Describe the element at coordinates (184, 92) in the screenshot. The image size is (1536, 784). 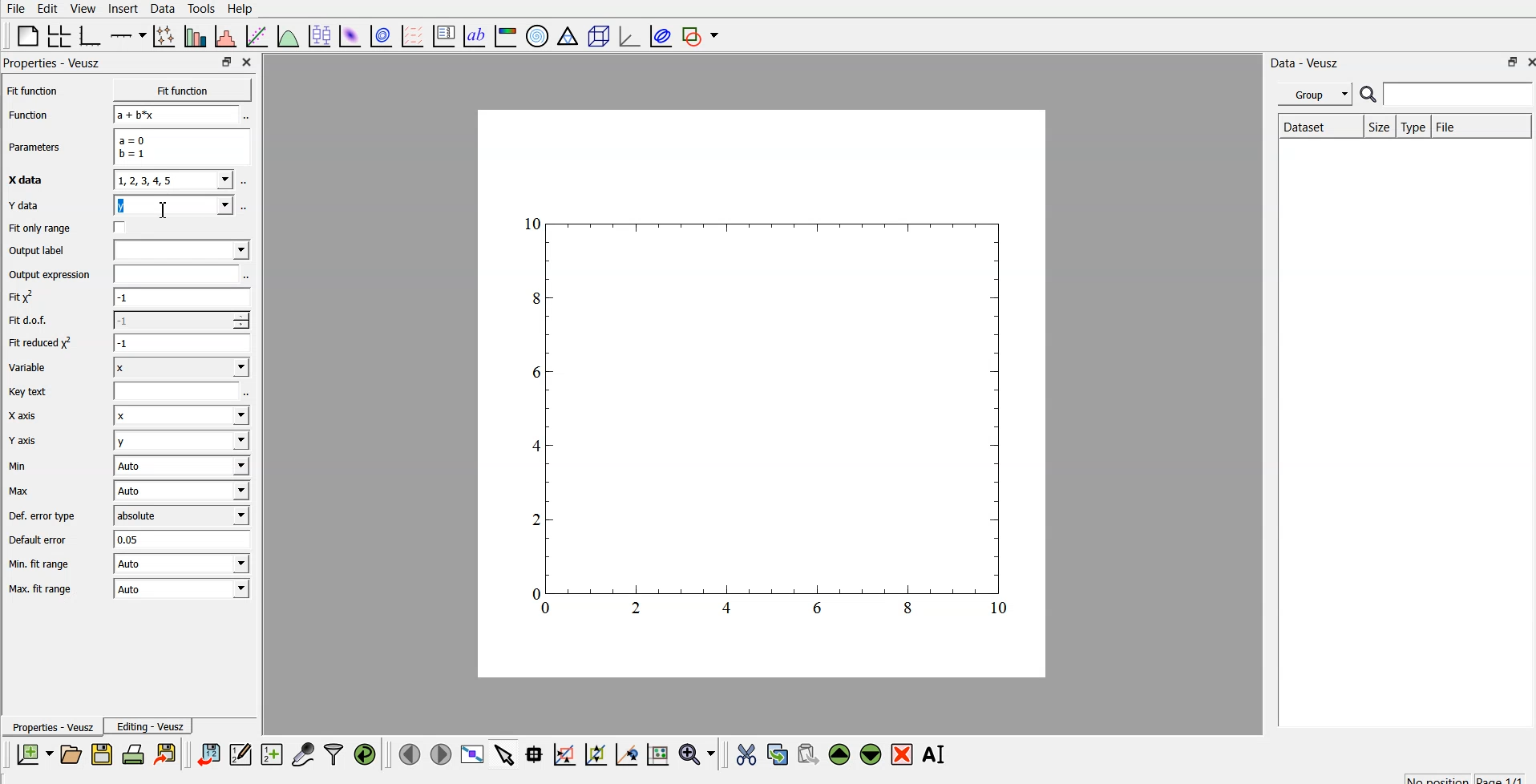
I see `Fit function` at that location.